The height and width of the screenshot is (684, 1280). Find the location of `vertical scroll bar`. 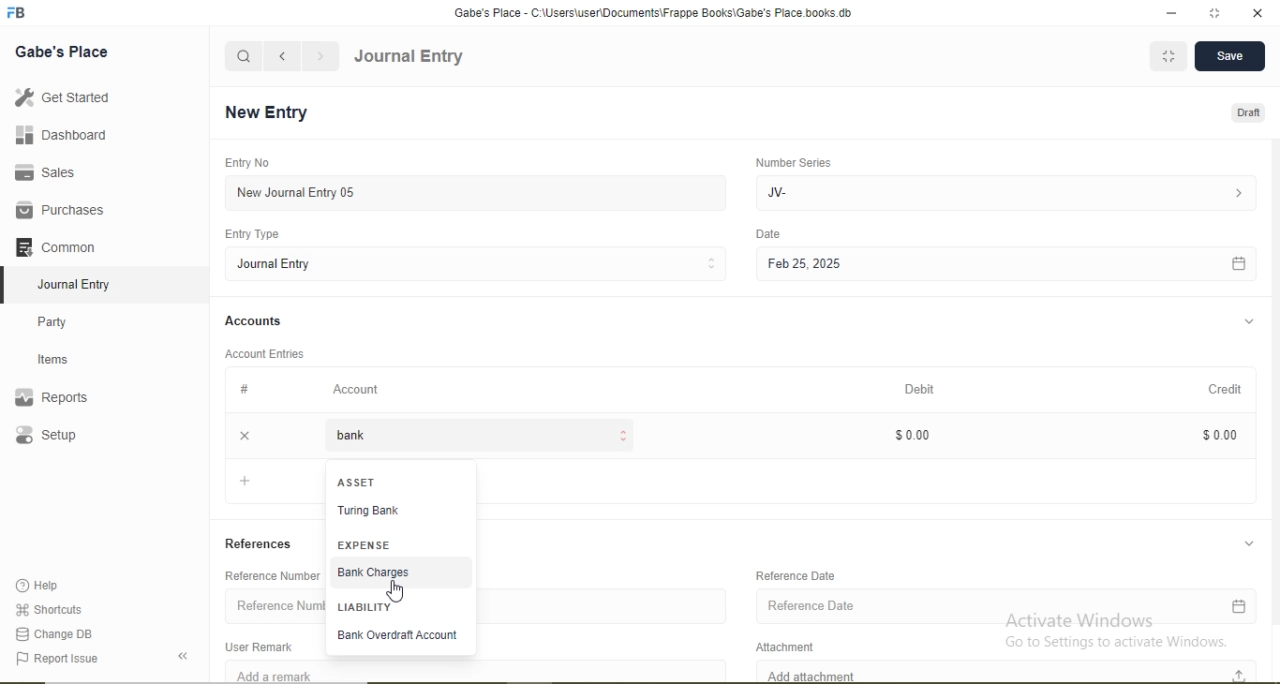

vertical scroll bar is located at coordinates (519, 569).